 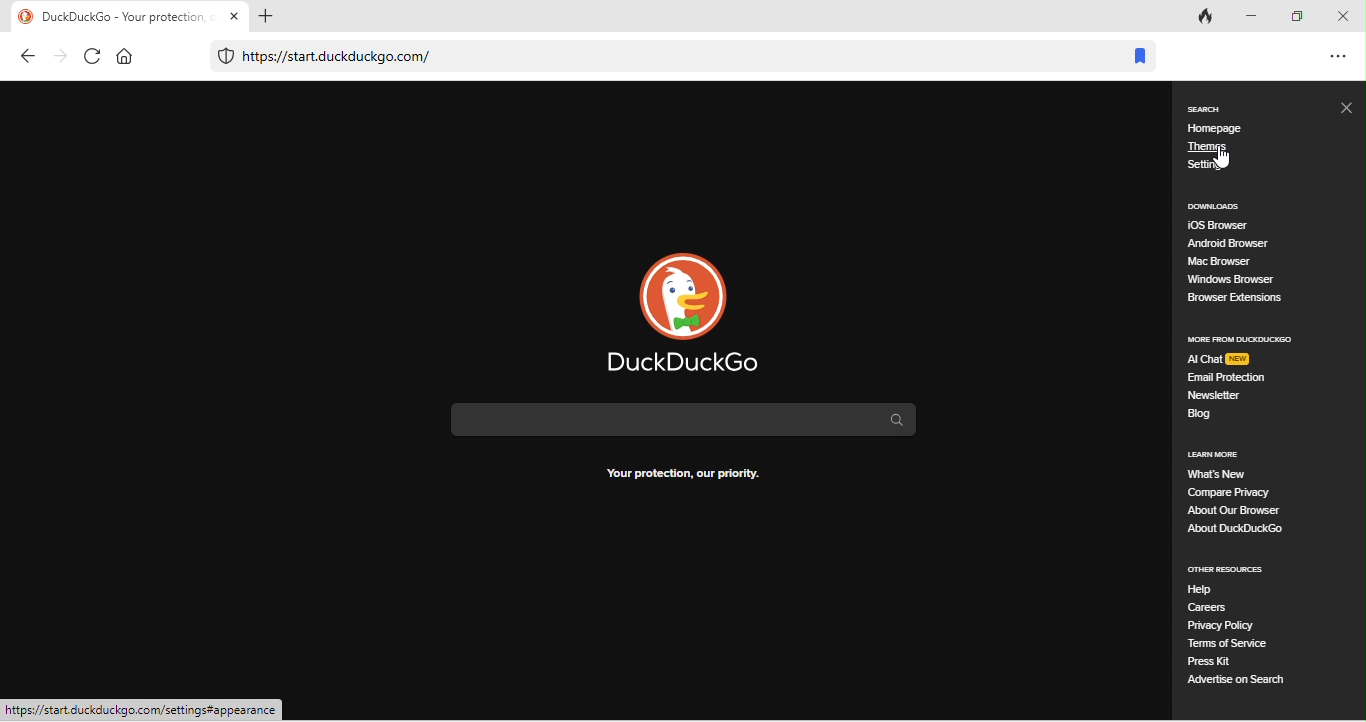 I want to click on bookmark, so click(x=1141, y=59).